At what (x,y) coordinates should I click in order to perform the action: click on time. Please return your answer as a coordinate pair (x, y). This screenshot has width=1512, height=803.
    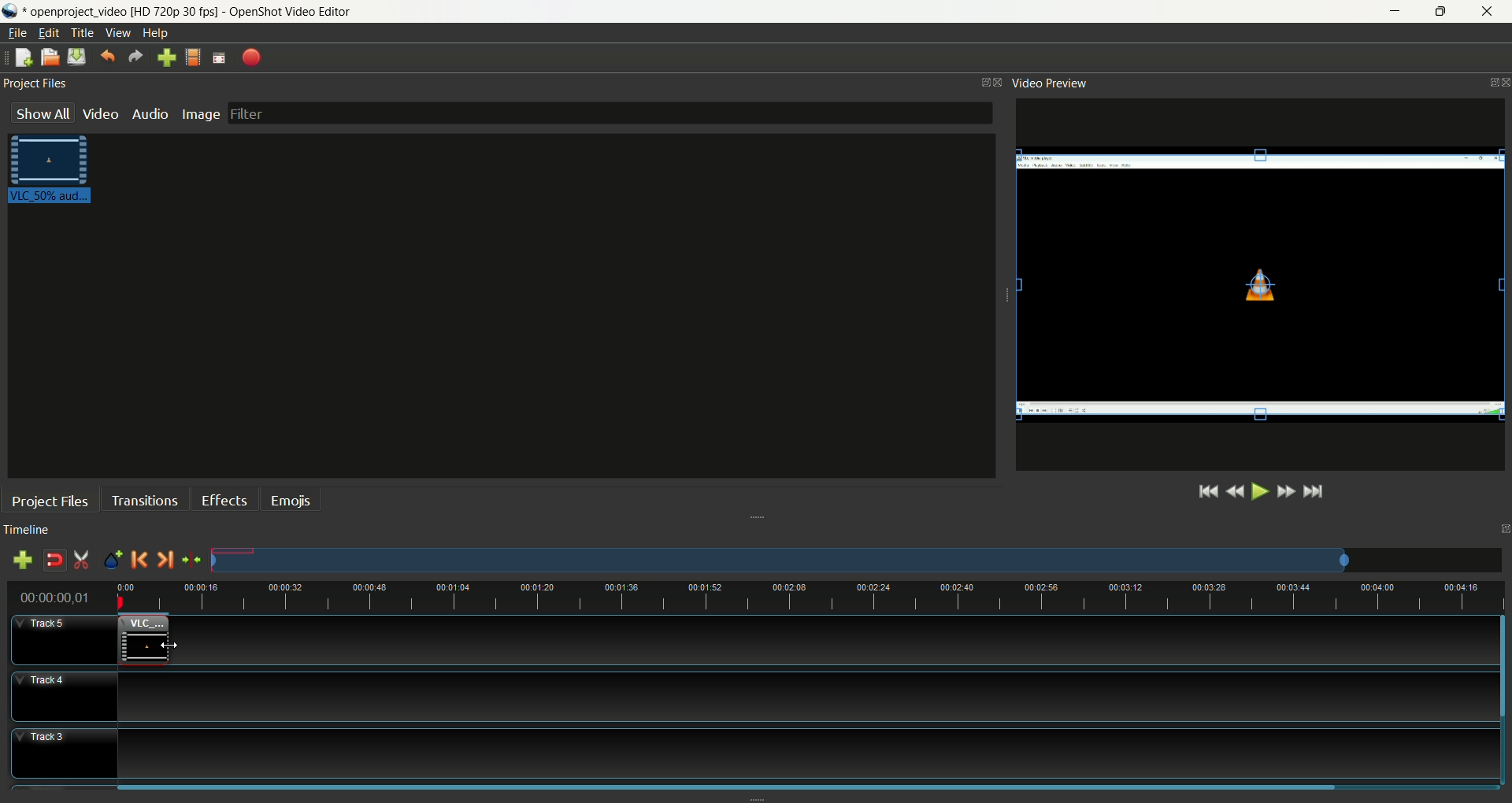
    Looking at the image, I should click on (60, 597).